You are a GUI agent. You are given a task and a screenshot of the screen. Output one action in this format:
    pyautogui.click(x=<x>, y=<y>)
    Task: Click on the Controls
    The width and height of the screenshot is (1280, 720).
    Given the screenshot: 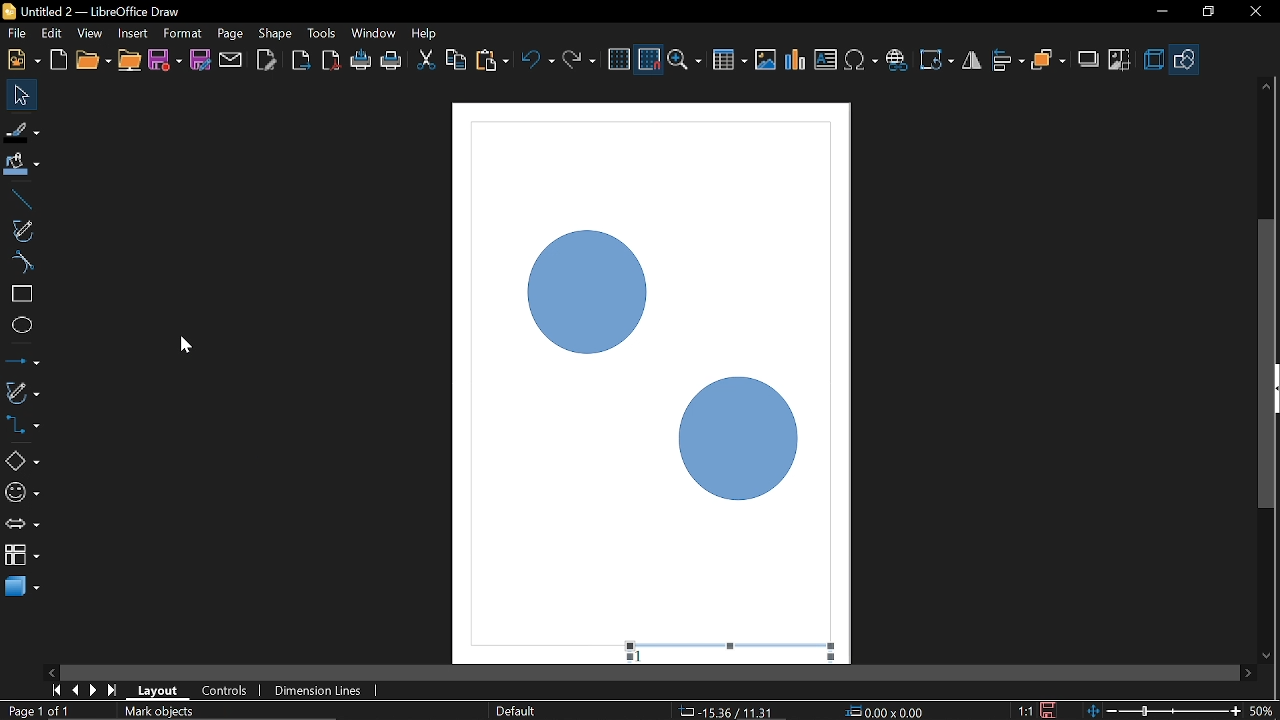 What is the action you would take?
    pyautogui.click(x=224, y=692)
    